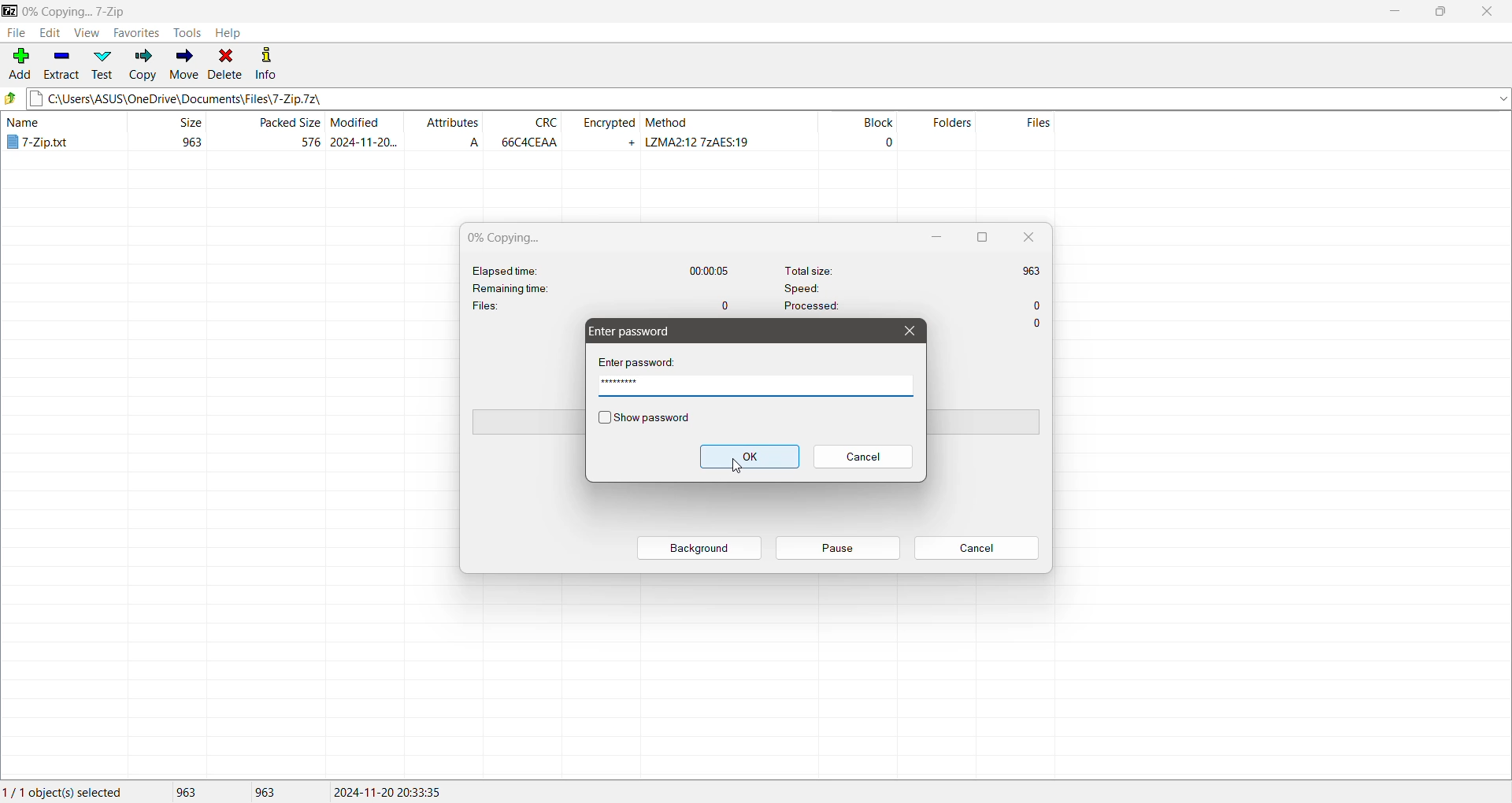 The width and height of the screenshot is (1512, 803). Describe the element at coordinates (137, 33) in the screenshot. I see `Favorites` at that location.